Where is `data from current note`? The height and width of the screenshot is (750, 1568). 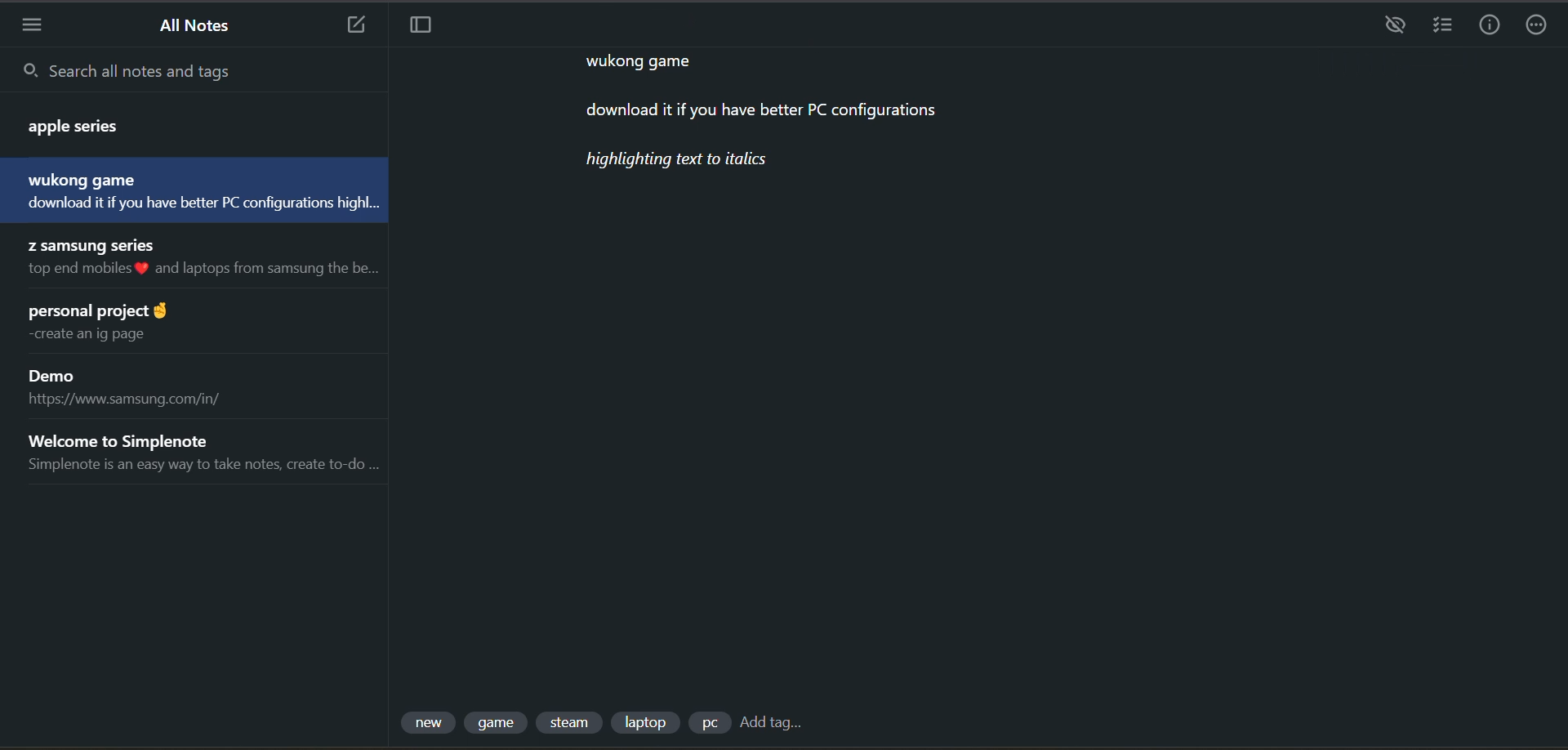 data from current note is located at coordinates (747, 94).